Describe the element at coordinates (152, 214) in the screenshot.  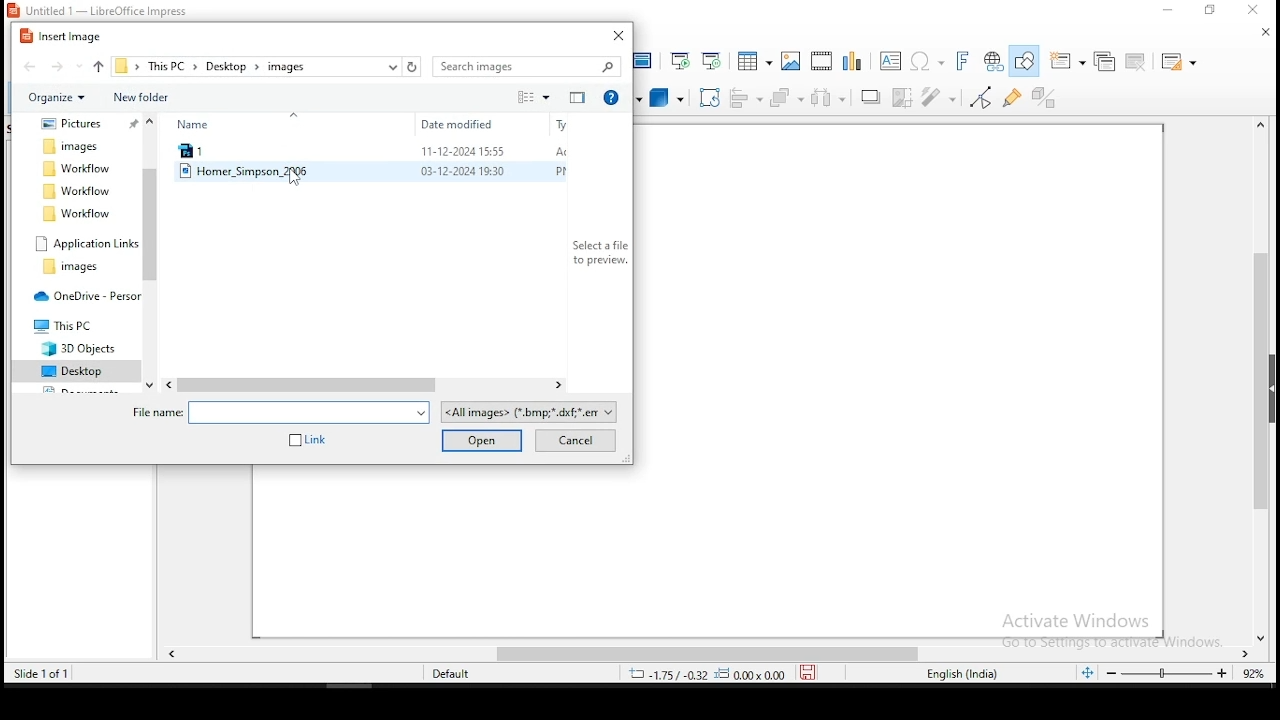
I see `scroll bar` at that location.